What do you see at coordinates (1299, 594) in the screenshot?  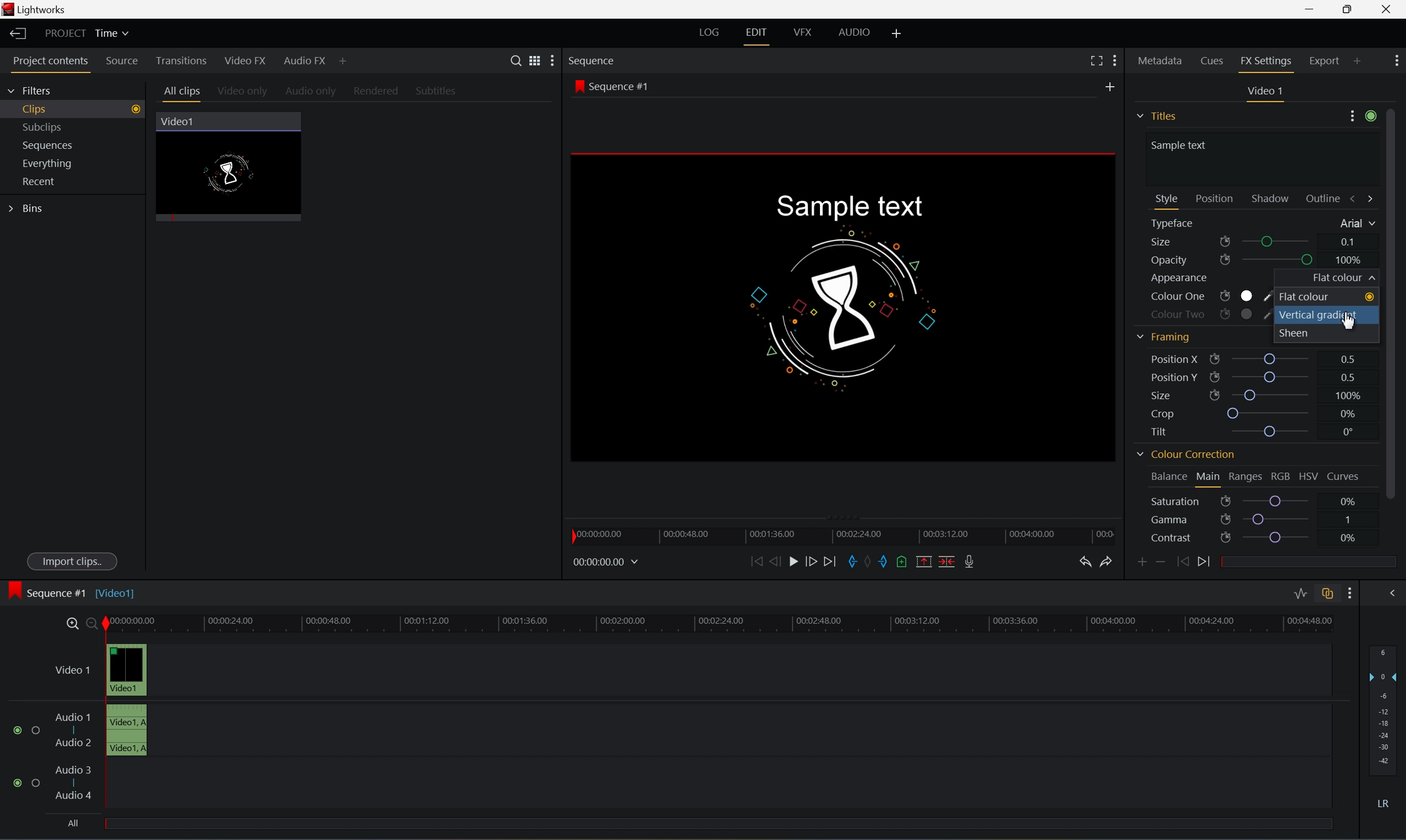 I see `toggle audio levels editing` at bounding box center [1299, 594].